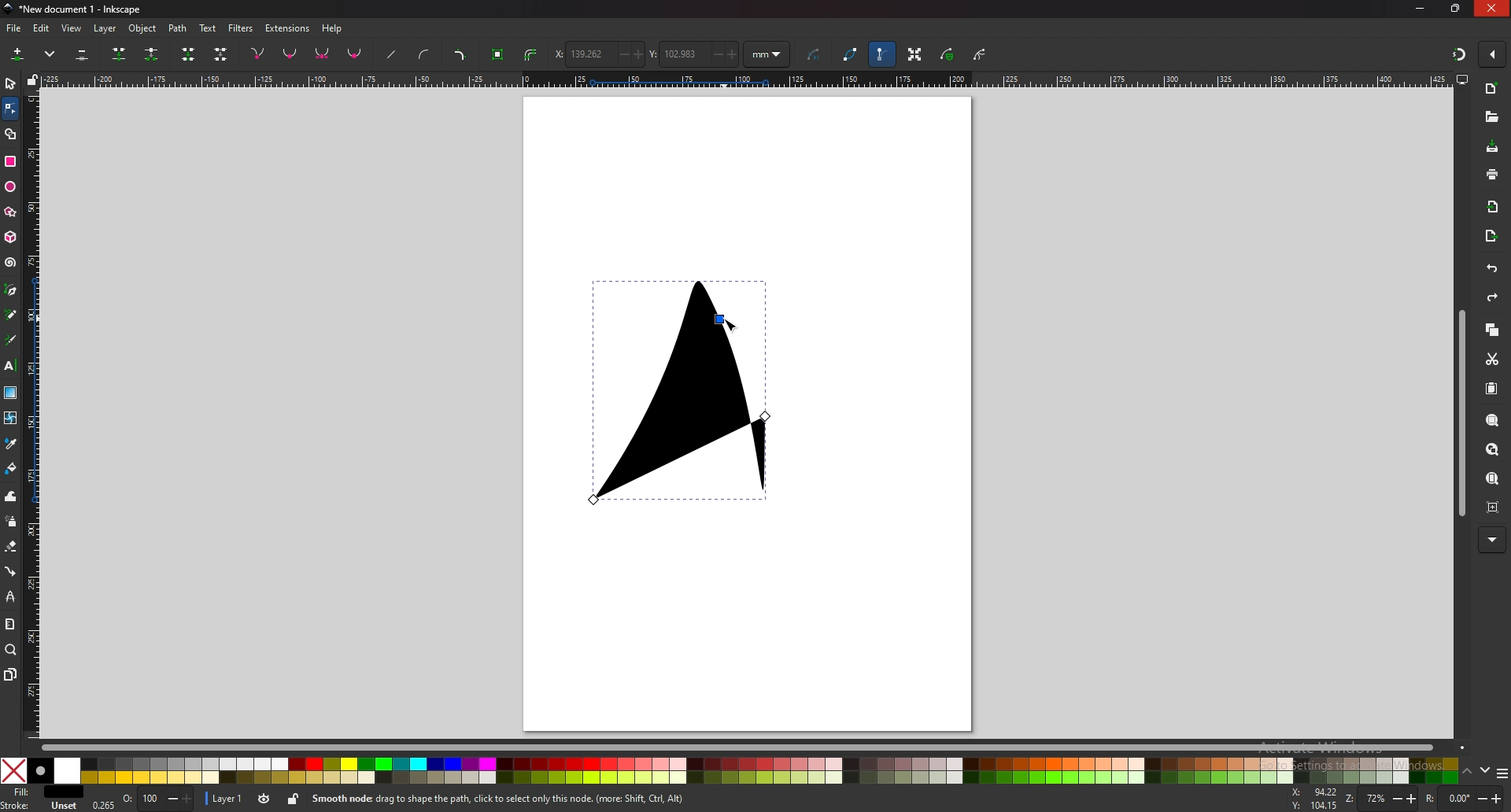  I want to click on export, so click(1490, 238).